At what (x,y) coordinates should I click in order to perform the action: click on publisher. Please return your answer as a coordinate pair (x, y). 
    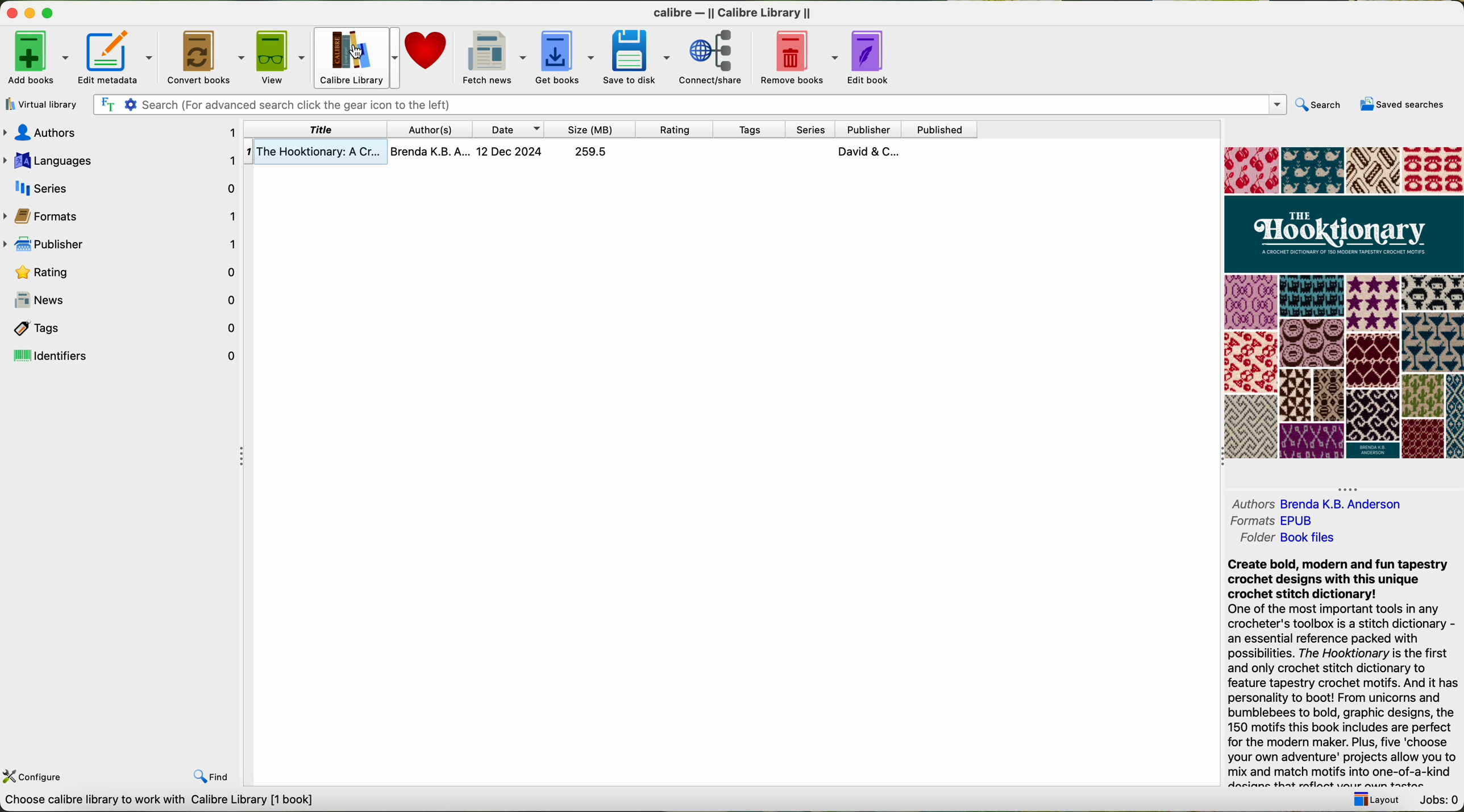
    Looking at the image, I should click on (867, 127).